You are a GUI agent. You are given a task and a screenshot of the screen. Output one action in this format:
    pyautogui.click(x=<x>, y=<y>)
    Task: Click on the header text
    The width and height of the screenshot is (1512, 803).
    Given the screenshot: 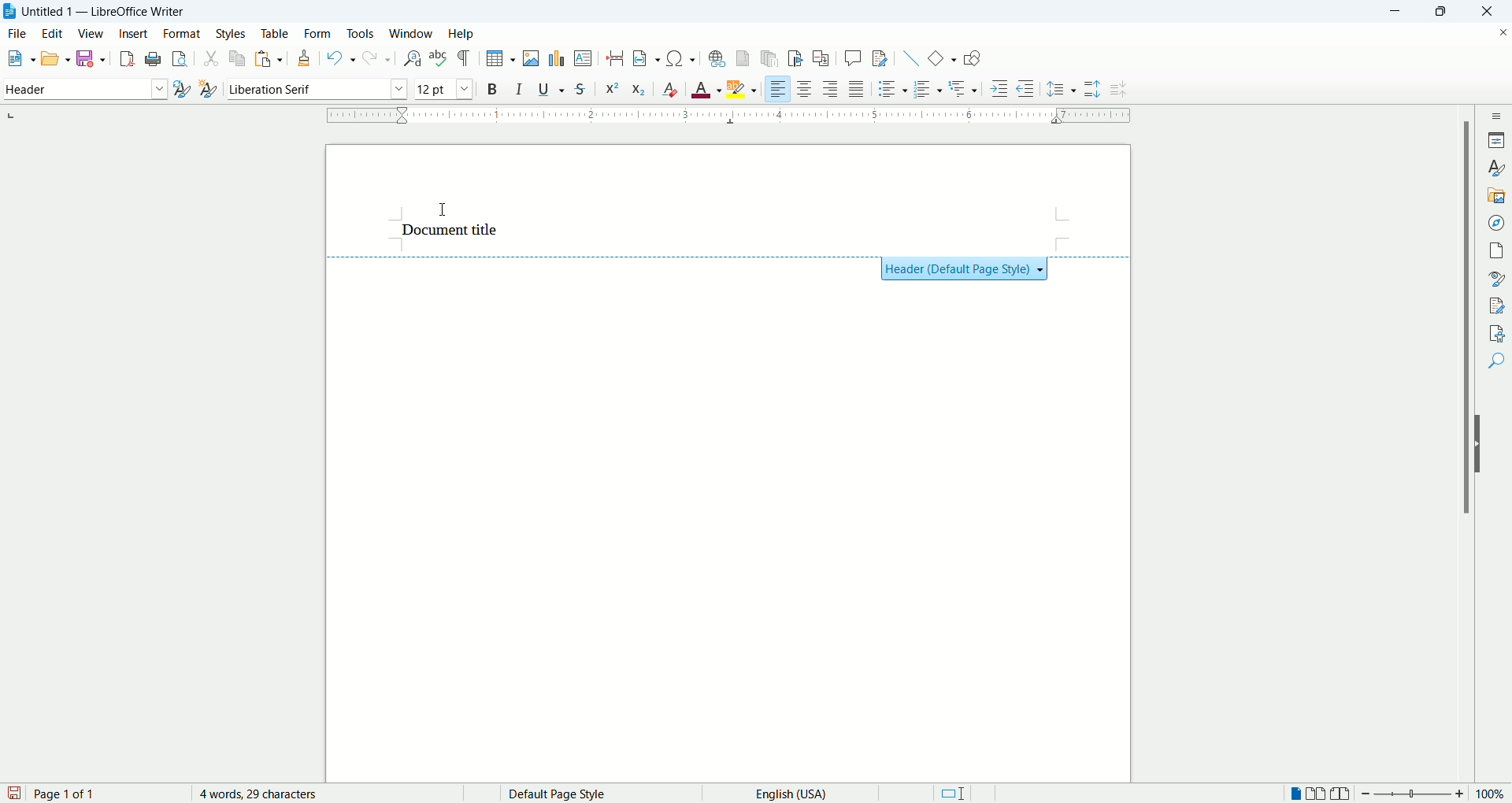 What is the action you would take?
    pyautogui.click(x=453, y=229)
    